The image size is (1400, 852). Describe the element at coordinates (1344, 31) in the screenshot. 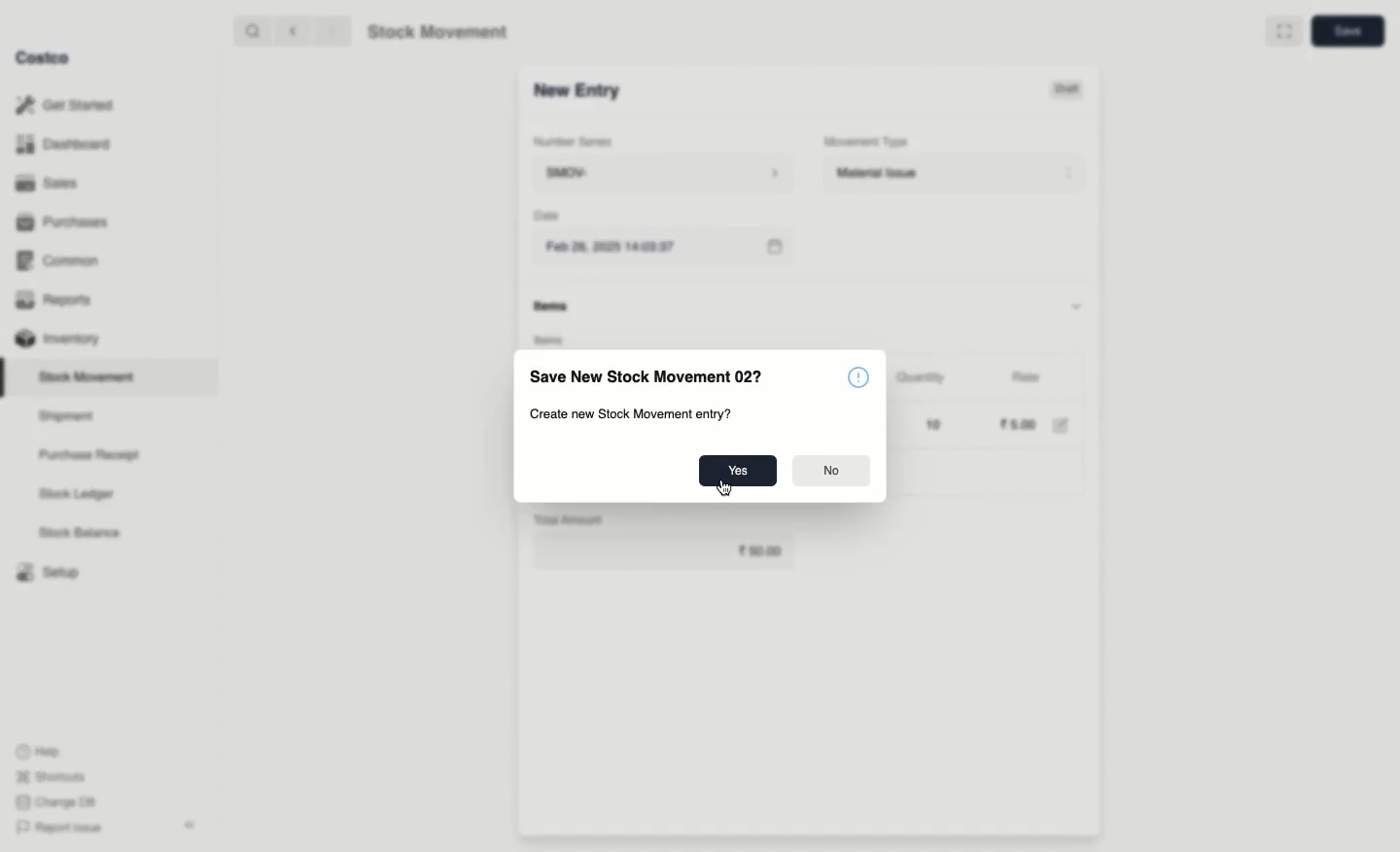

I see `Save` at that location.